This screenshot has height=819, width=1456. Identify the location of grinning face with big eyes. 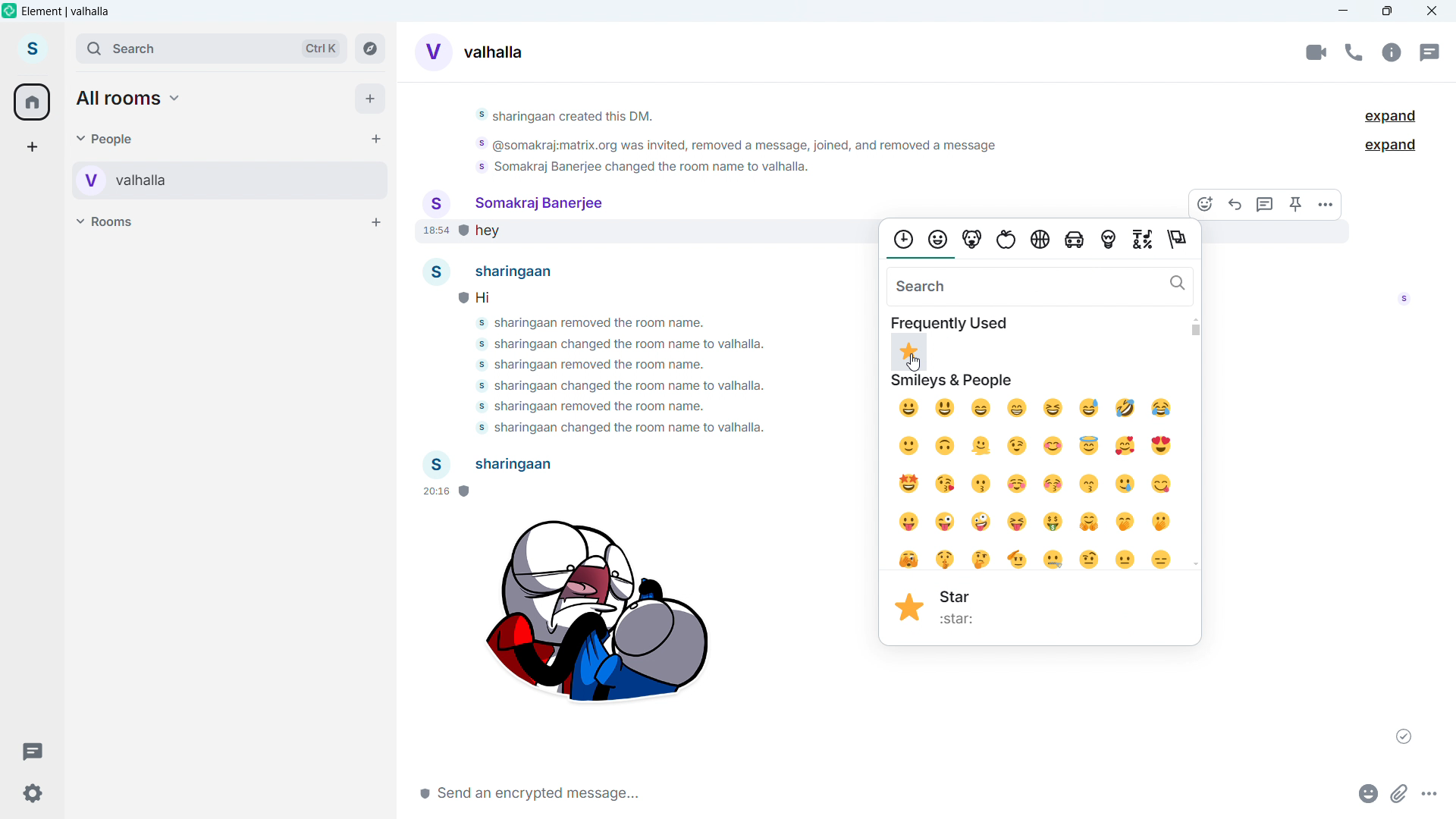
(945, 409).